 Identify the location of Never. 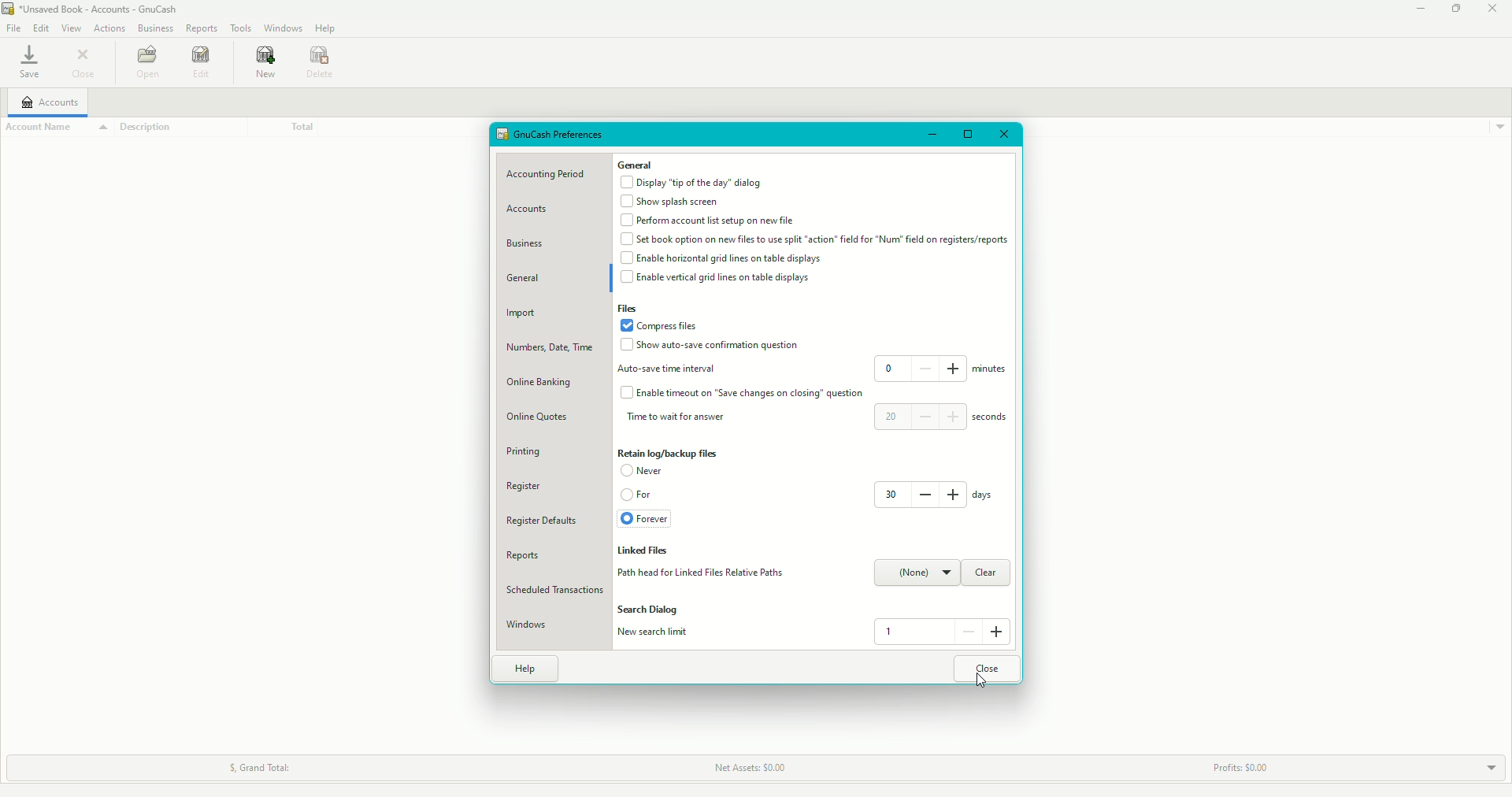
(647, 471).